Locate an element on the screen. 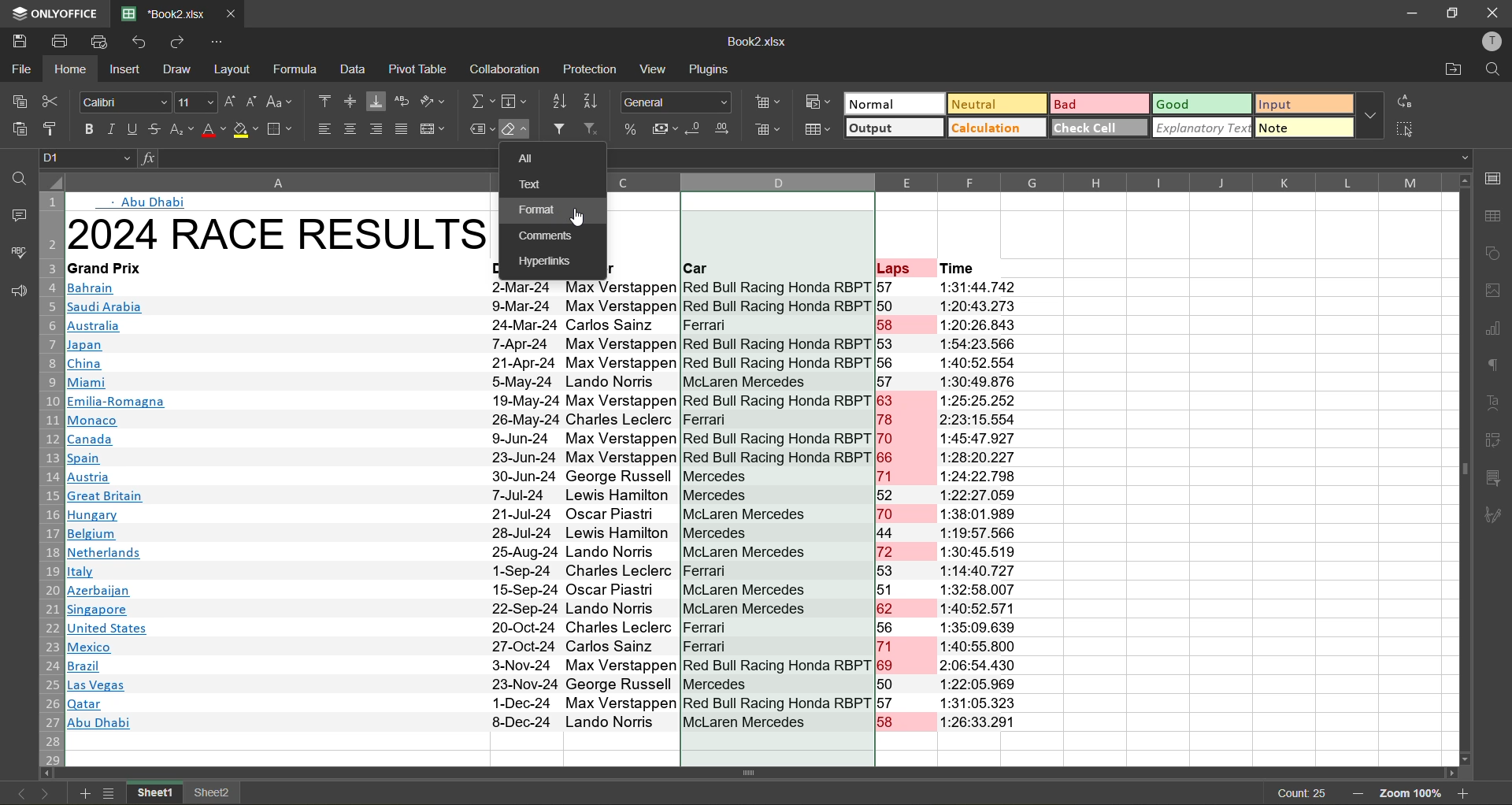 The height and width of the screenshot is (805, 1512). explanatory text is located at coordinates (1202, 128).